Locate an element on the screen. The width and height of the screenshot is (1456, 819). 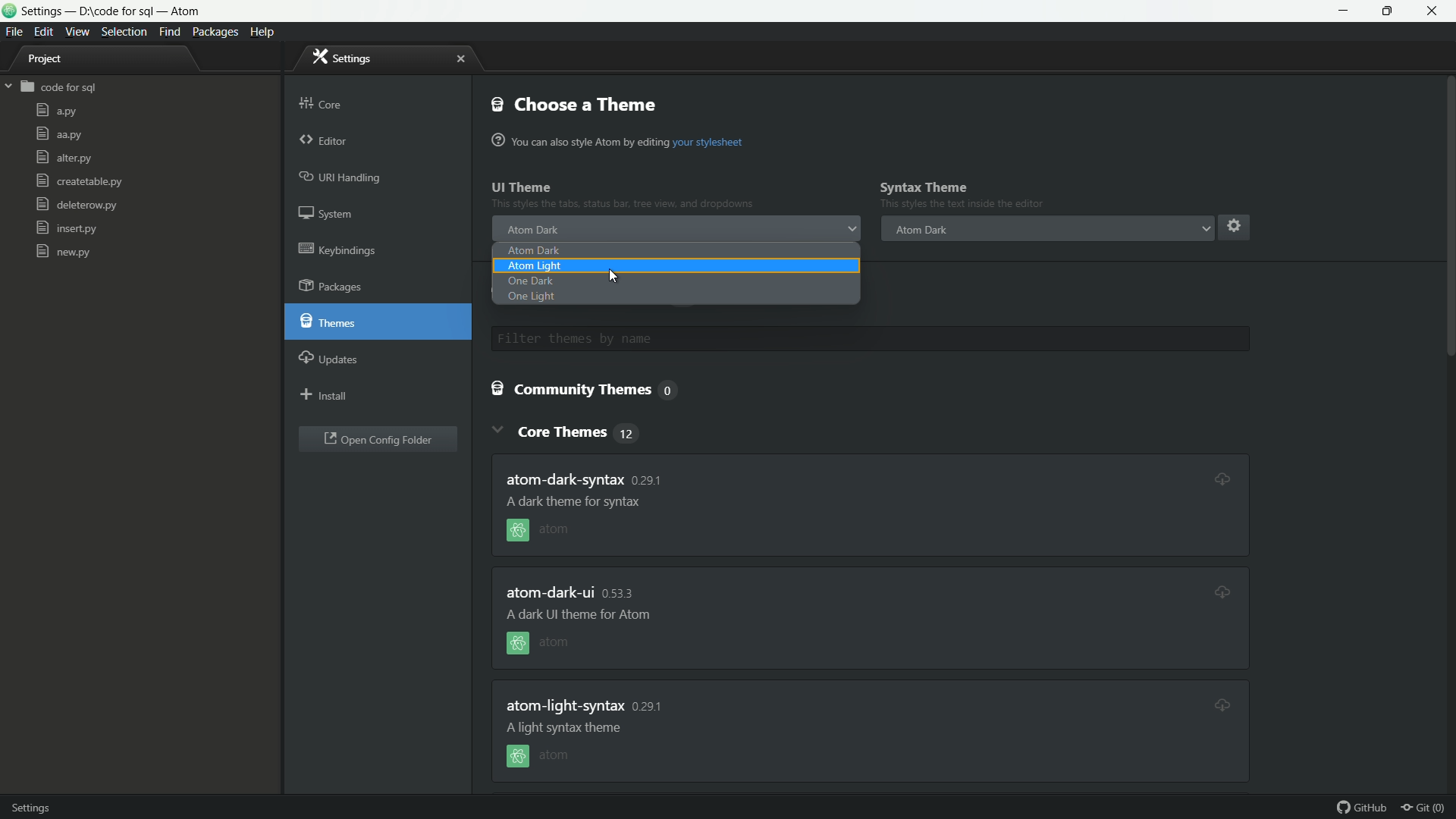
scroll bar is located at coordinates (1447, 370).